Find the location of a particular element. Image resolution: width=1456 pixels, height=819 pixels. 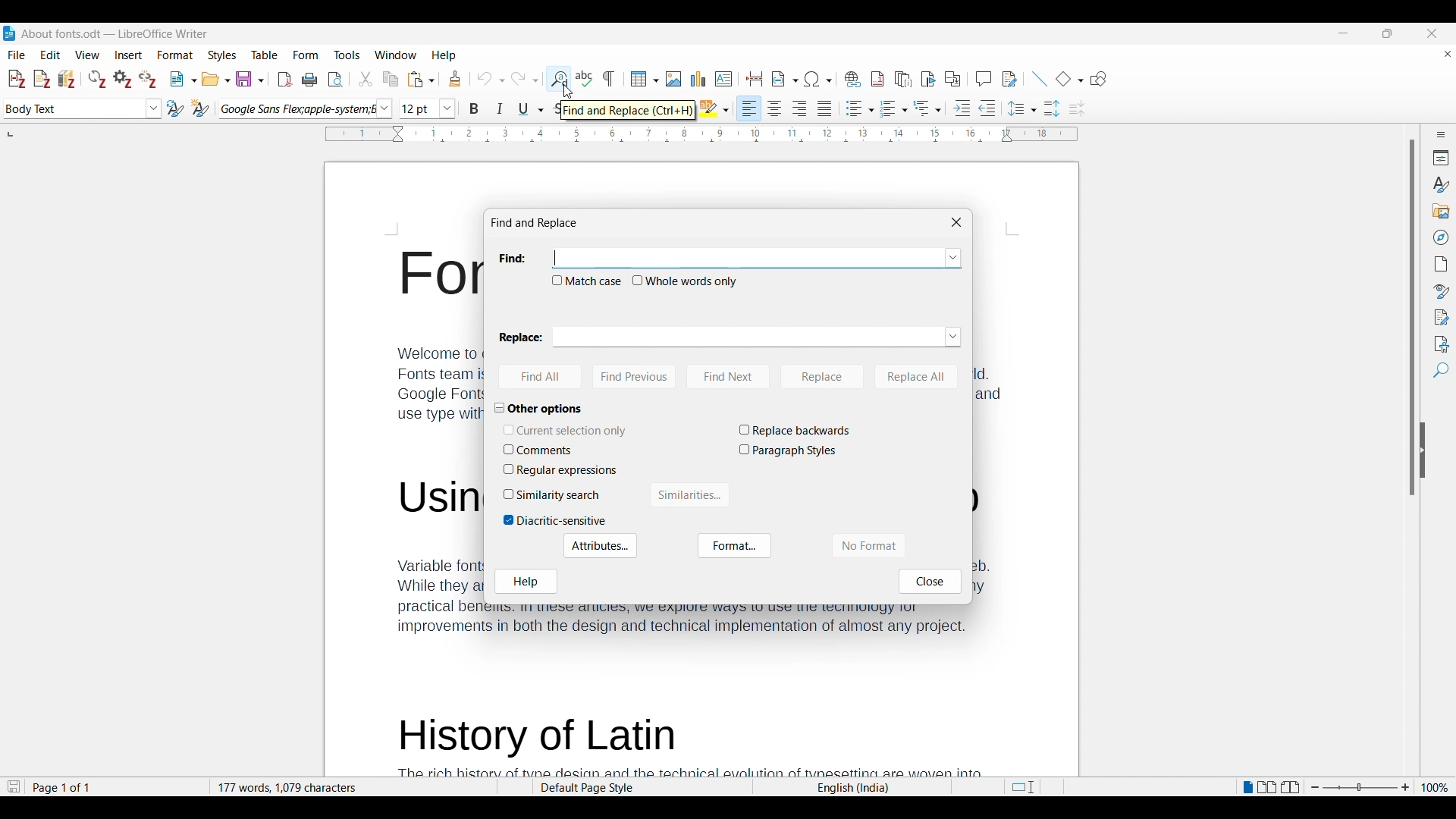

Enter text to be replaced is located at coordinates (747, 337).